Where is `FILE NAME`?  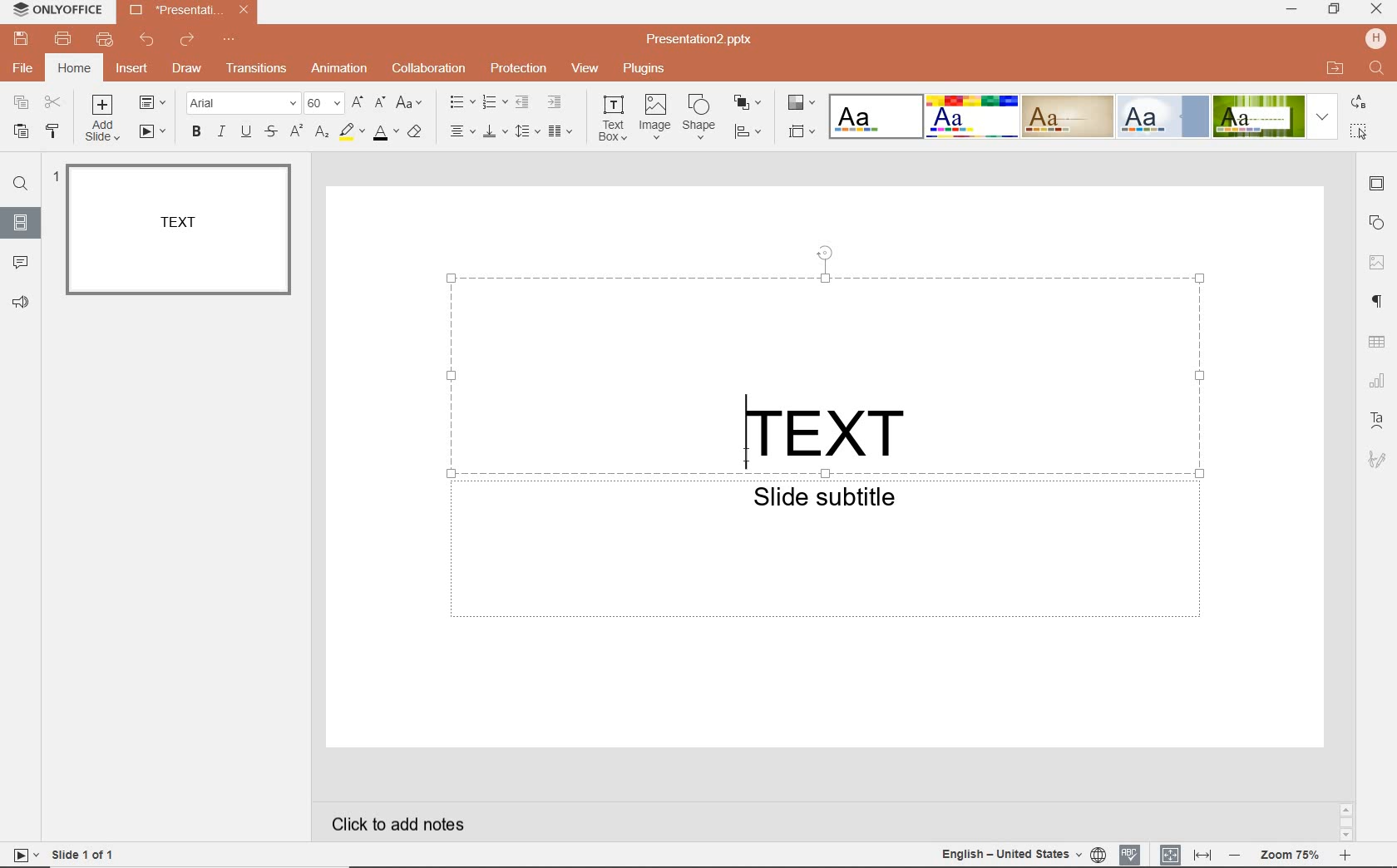
FILE NAME is located at coordinates (175, 9).